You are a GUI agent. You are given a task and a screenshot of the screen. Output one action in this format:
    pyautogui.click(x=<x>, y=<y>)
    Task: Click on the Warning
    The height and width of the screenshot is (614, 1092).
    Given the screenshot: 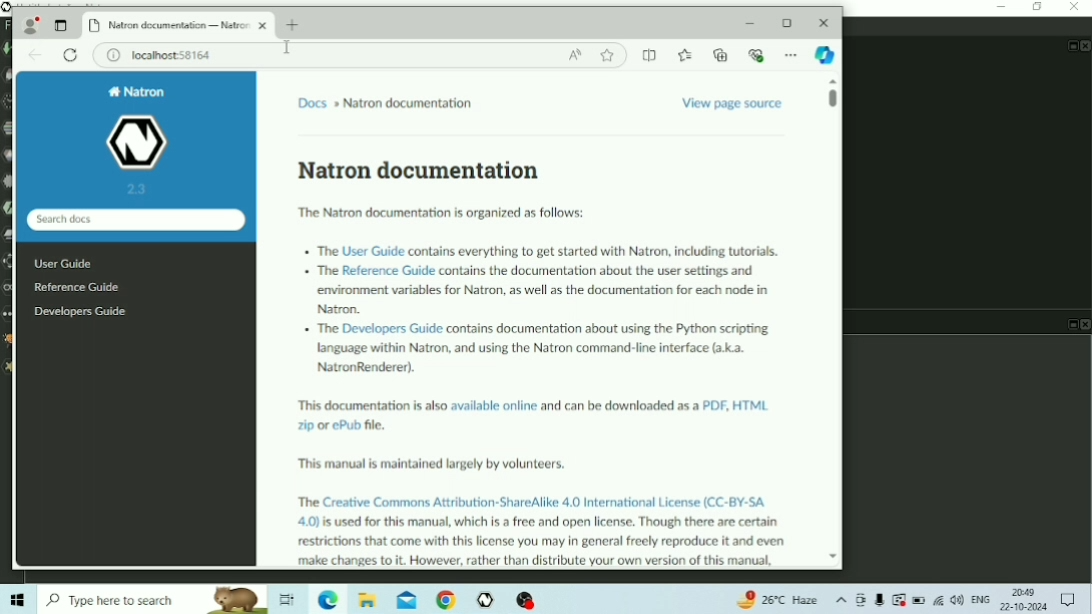 What is the action you would take?
    pyautogui.click(x=897, y=599)
    